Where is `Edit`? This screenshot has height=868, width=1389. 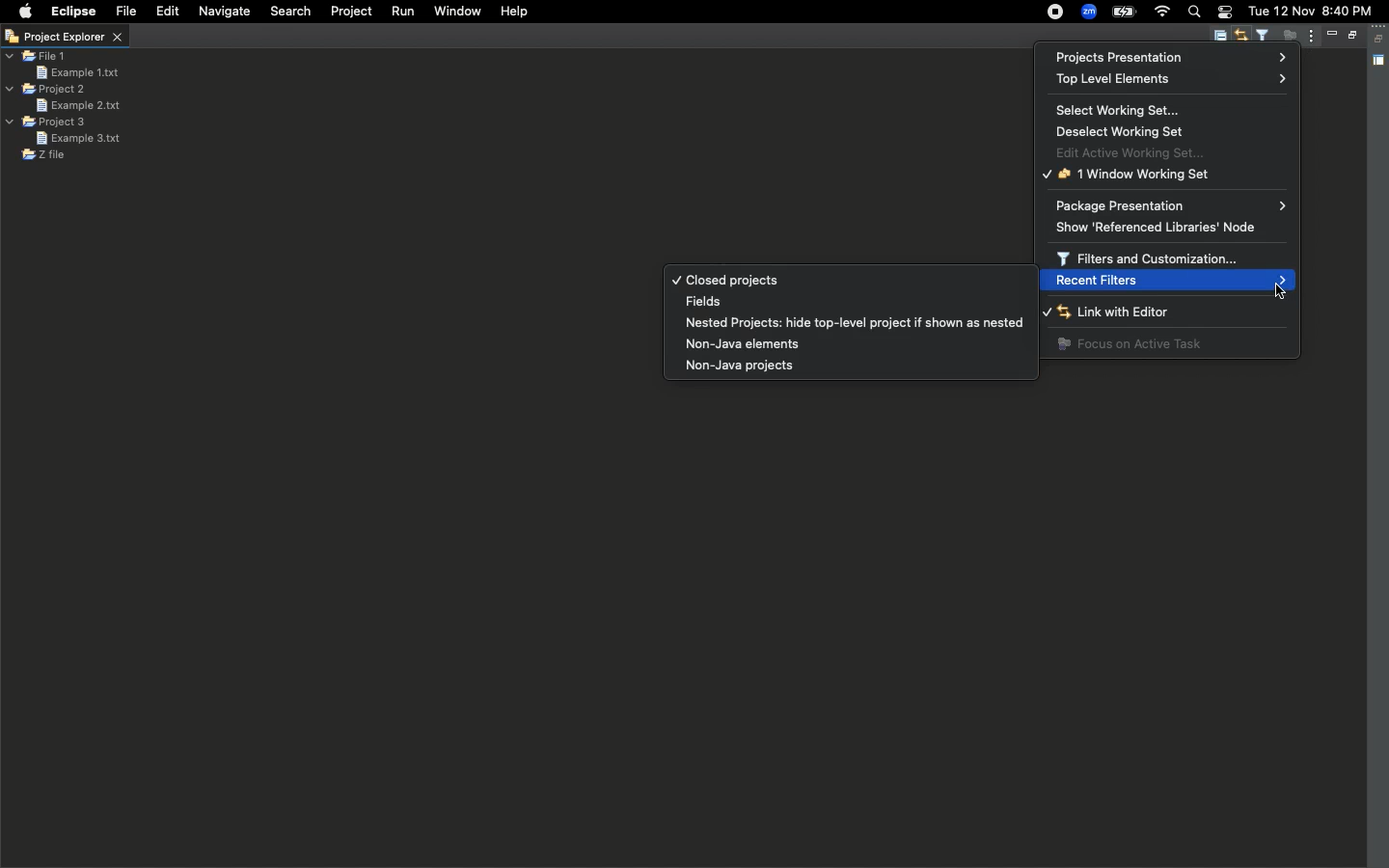
Edit is located at coordinates (165, 11).